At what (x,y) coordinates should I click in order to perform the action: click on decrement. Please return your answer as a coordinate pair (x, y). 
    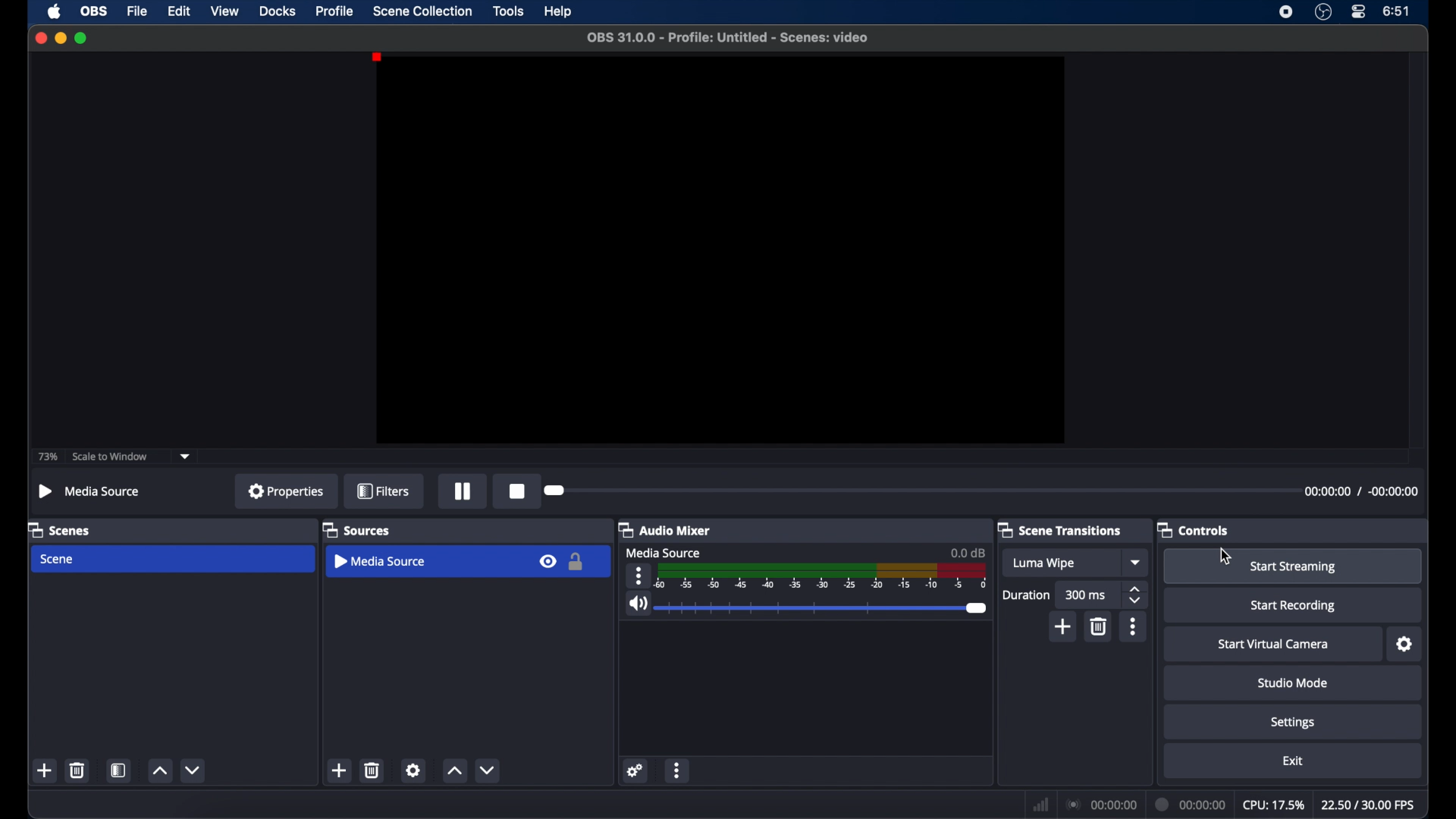
    Looking at the image, I should click on (490, 770).